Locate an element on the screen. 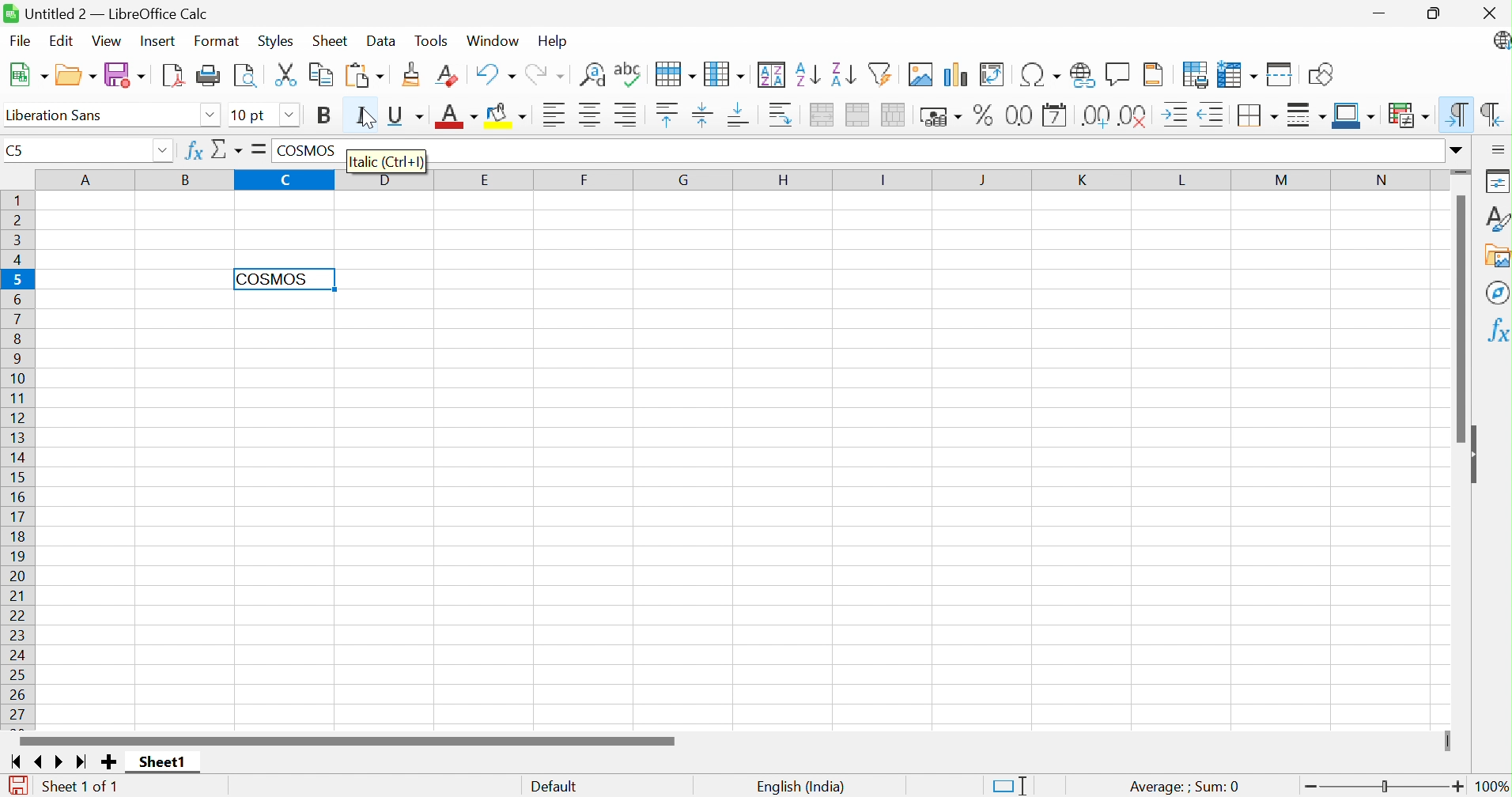 The width and height of the screenshot is (1512, 797). Row numbers is located at coordinates (16, 461).